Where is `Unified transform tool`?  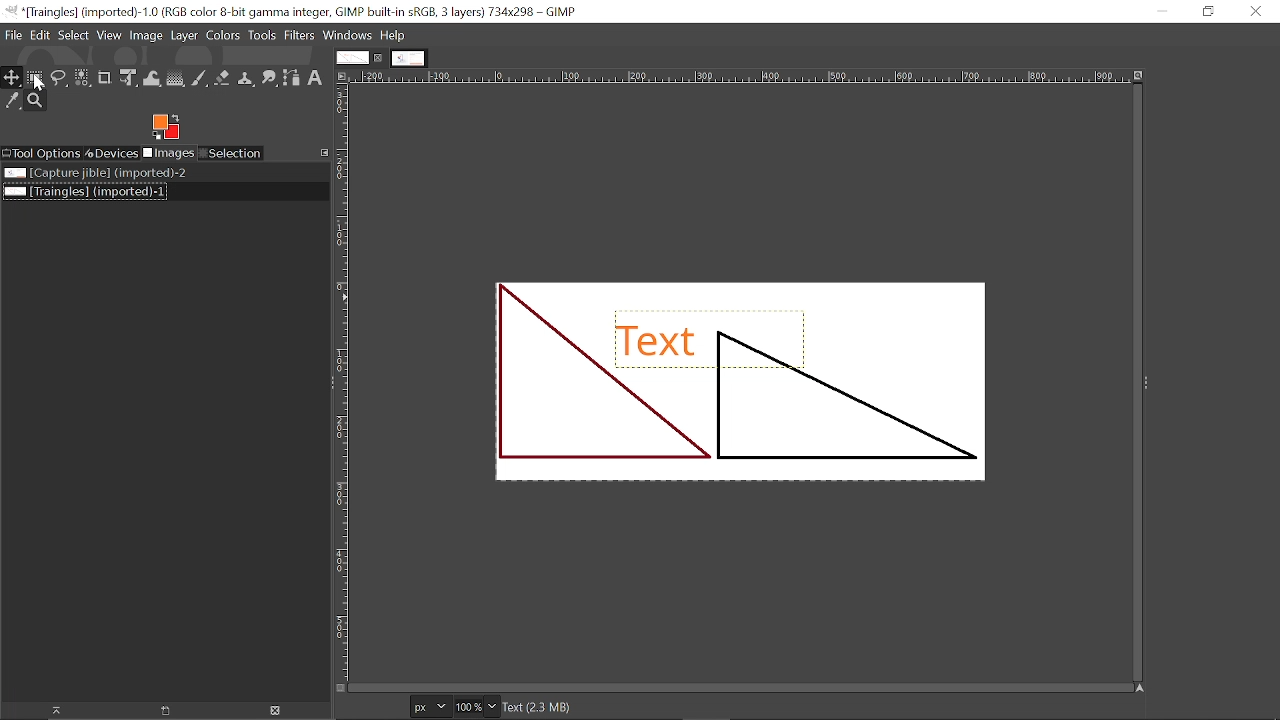 Unified transform tool is located at coordinates (128, 77).